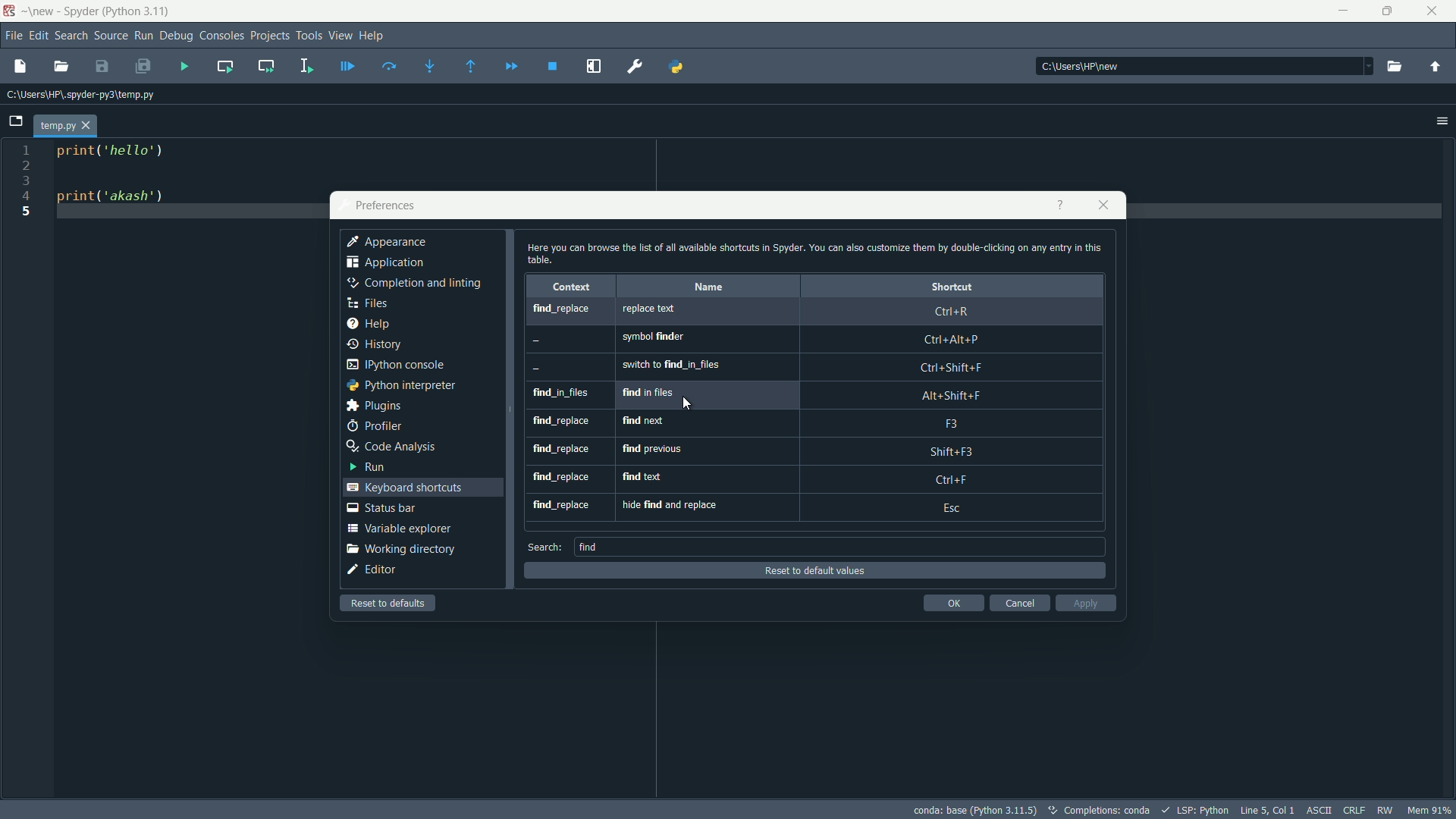  What do you see at coordinates (14, 122) in the screenshot?
I see `browse tabs` at bounding box center [14, 122].